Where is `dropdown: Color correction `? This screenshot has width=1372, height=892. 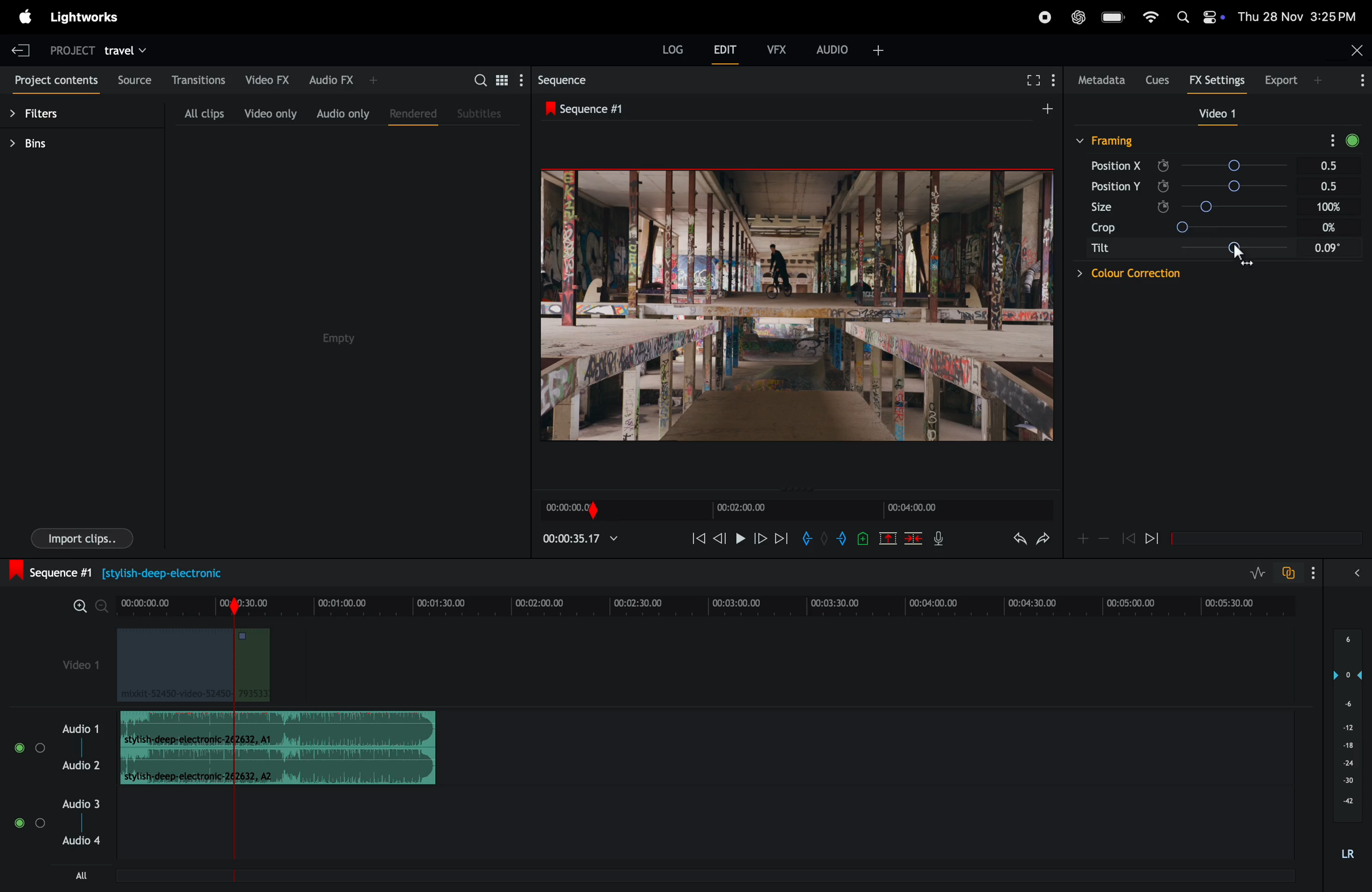 dropdown: Color correction  is located at coordinates (1126, 277).